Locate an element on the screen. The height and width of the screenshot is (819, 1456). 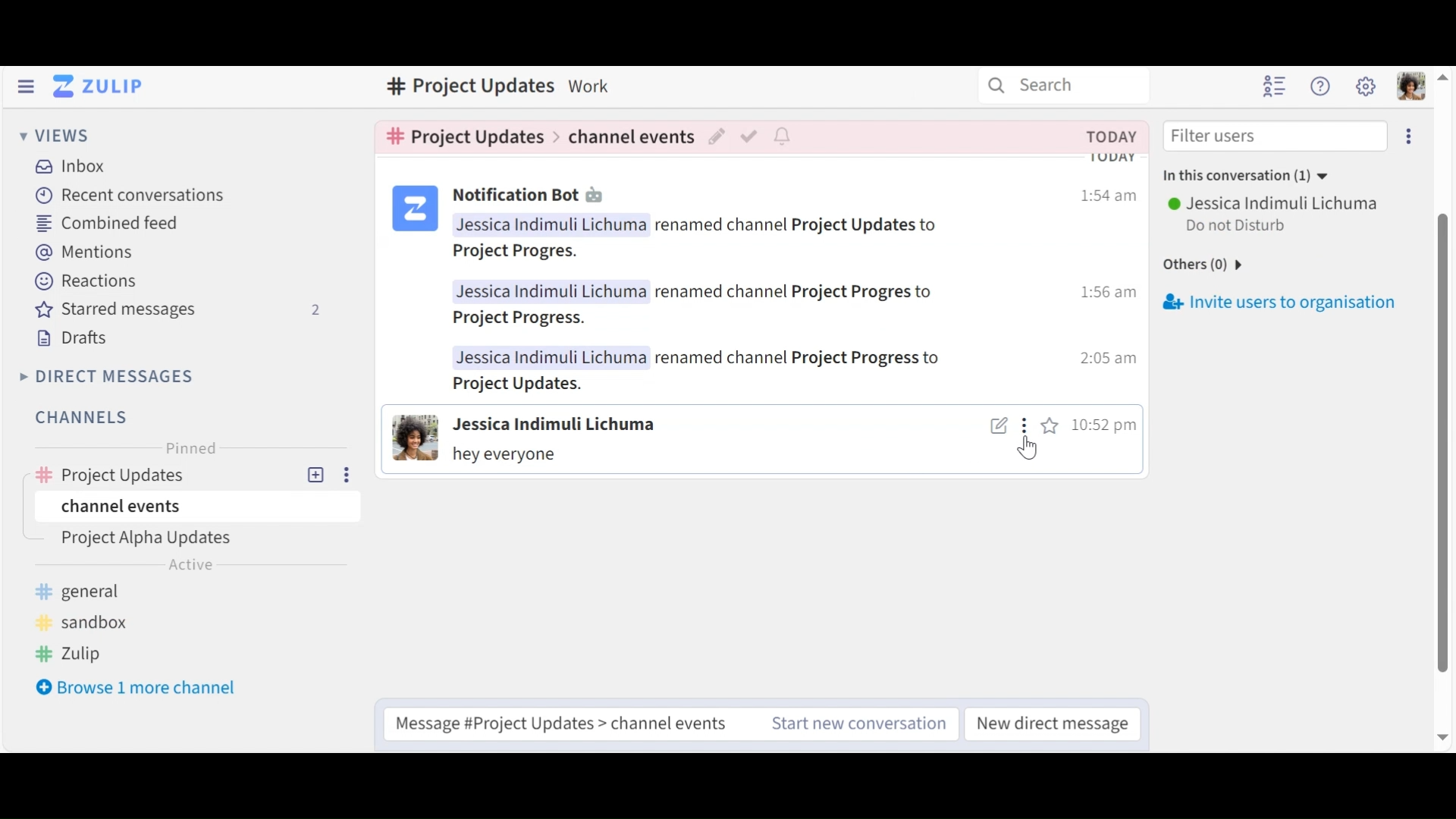
Combined feed is located at coordinates (106, 224).